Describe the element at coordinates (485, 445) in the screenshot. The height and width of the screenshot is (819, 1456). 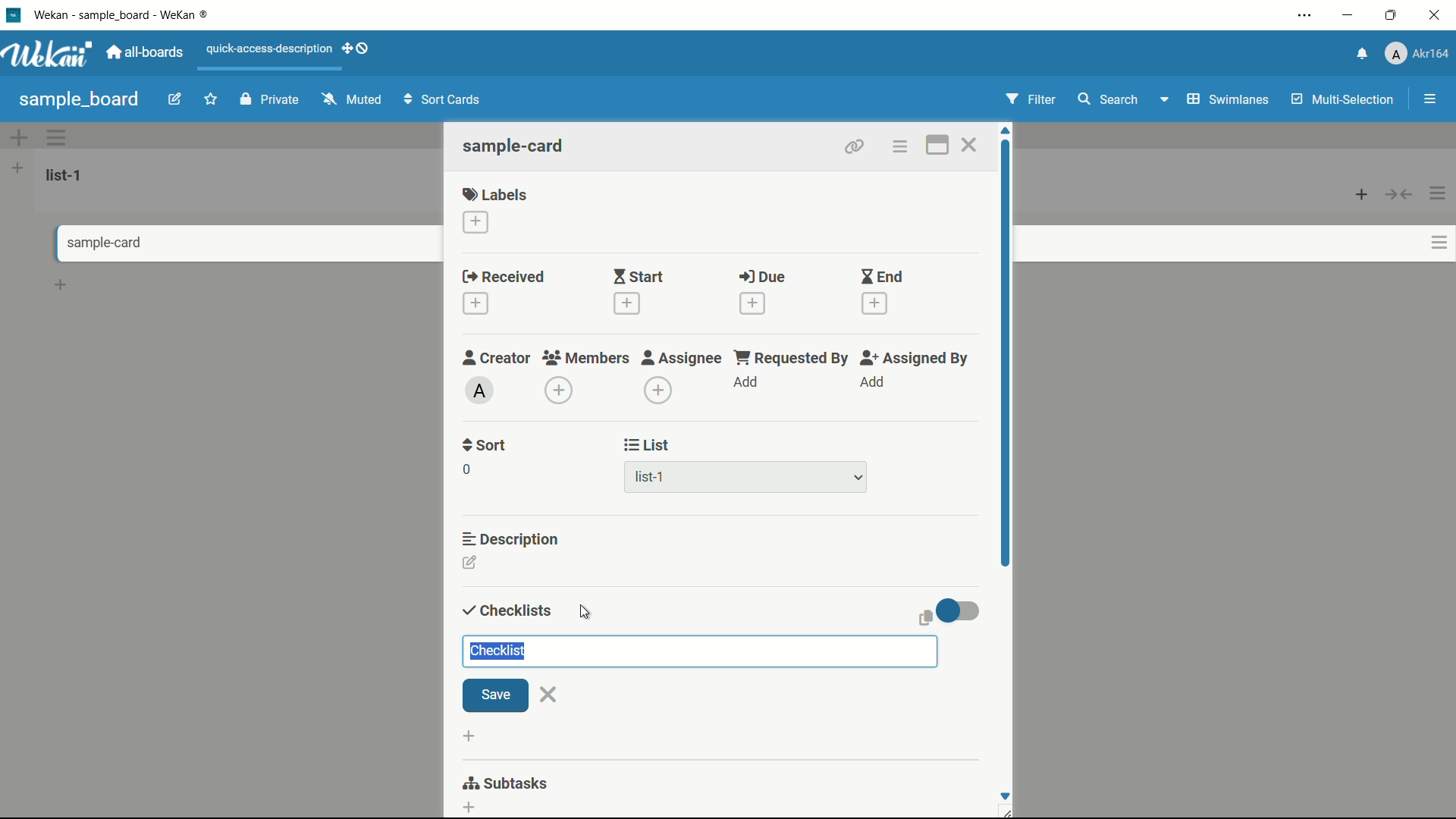
I see `sort` at that location.